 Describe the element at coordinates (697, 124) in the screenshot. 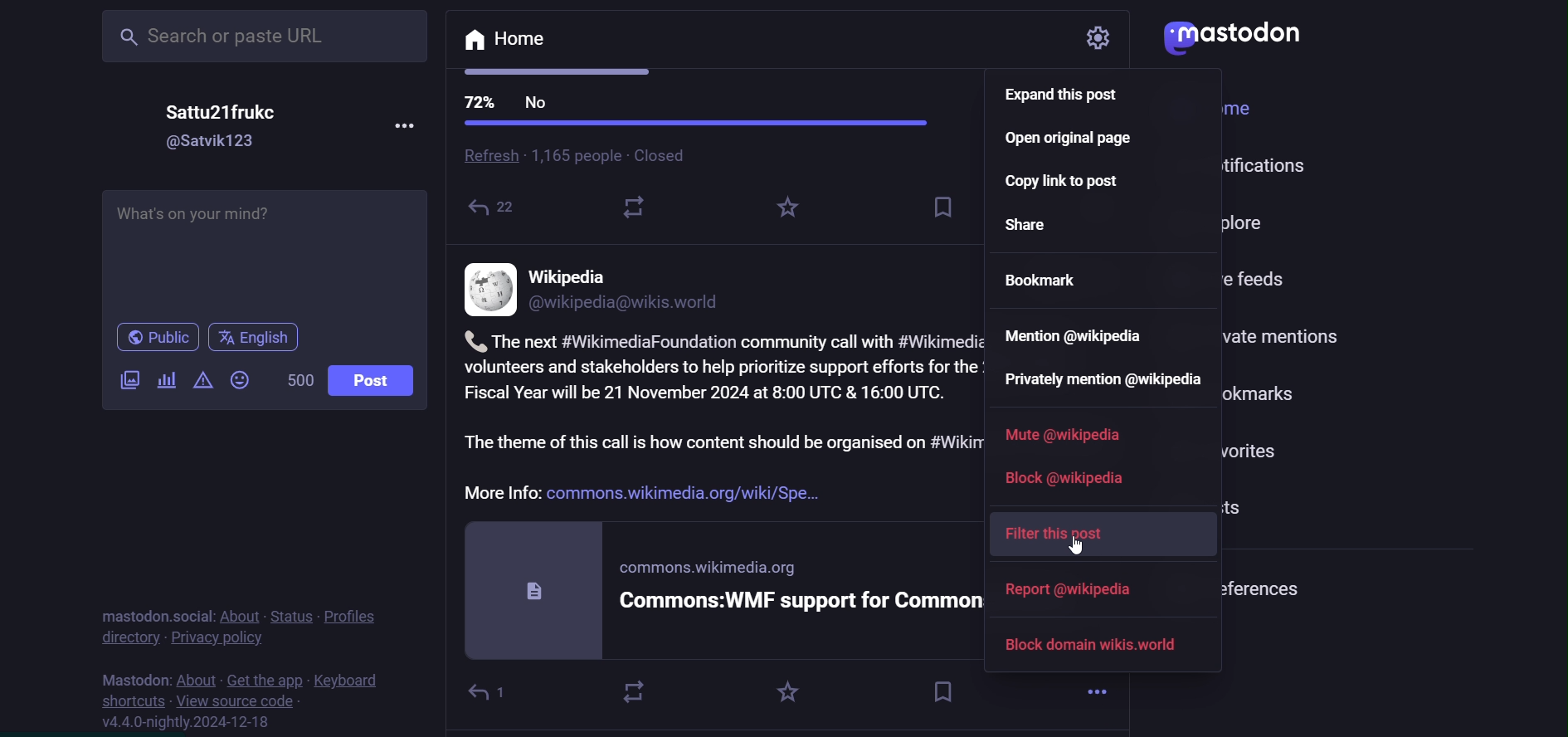

I see `progress bar` at that location.